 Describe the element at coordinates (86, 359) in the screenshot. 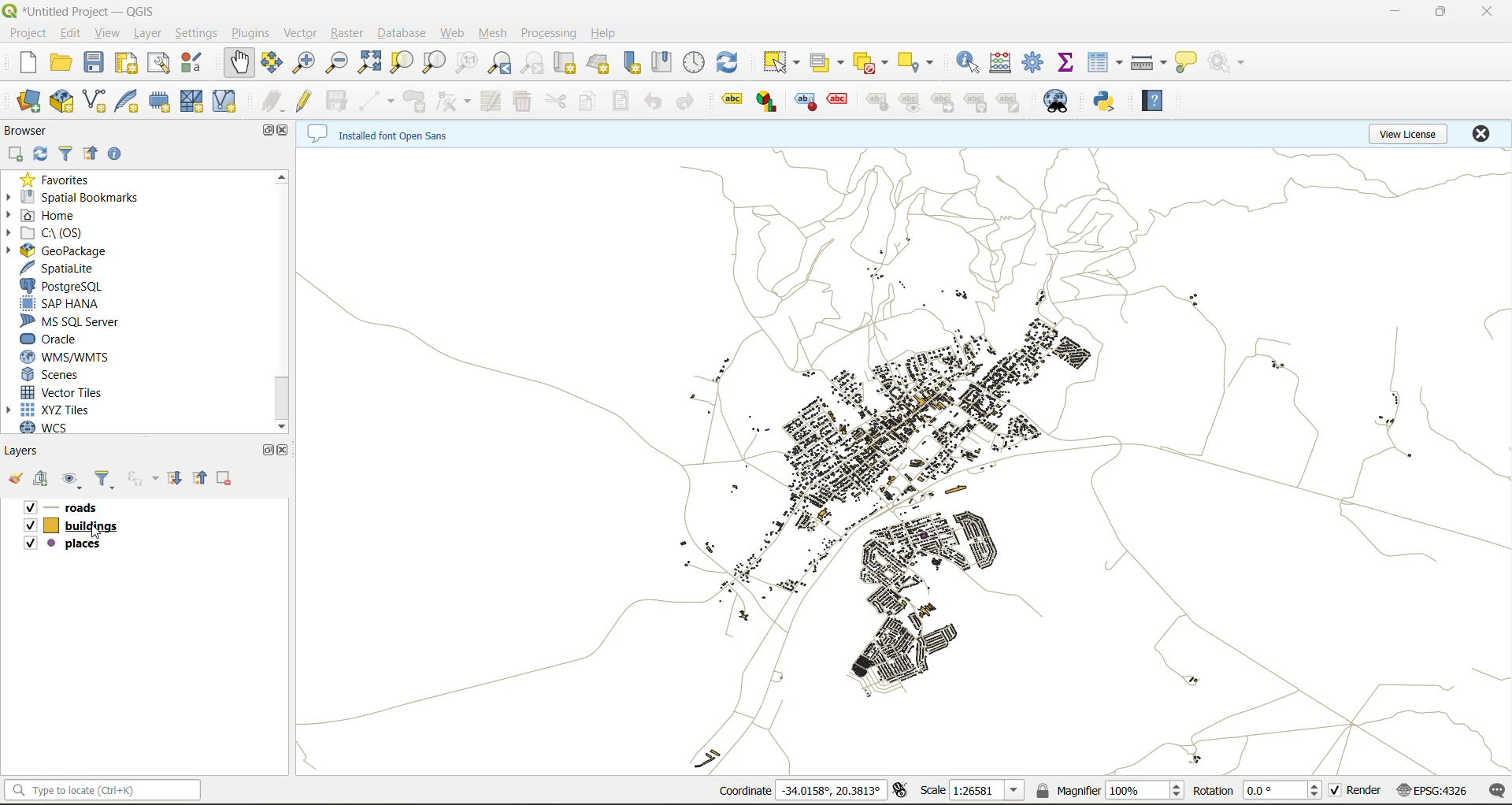

I see `wms` at that location.